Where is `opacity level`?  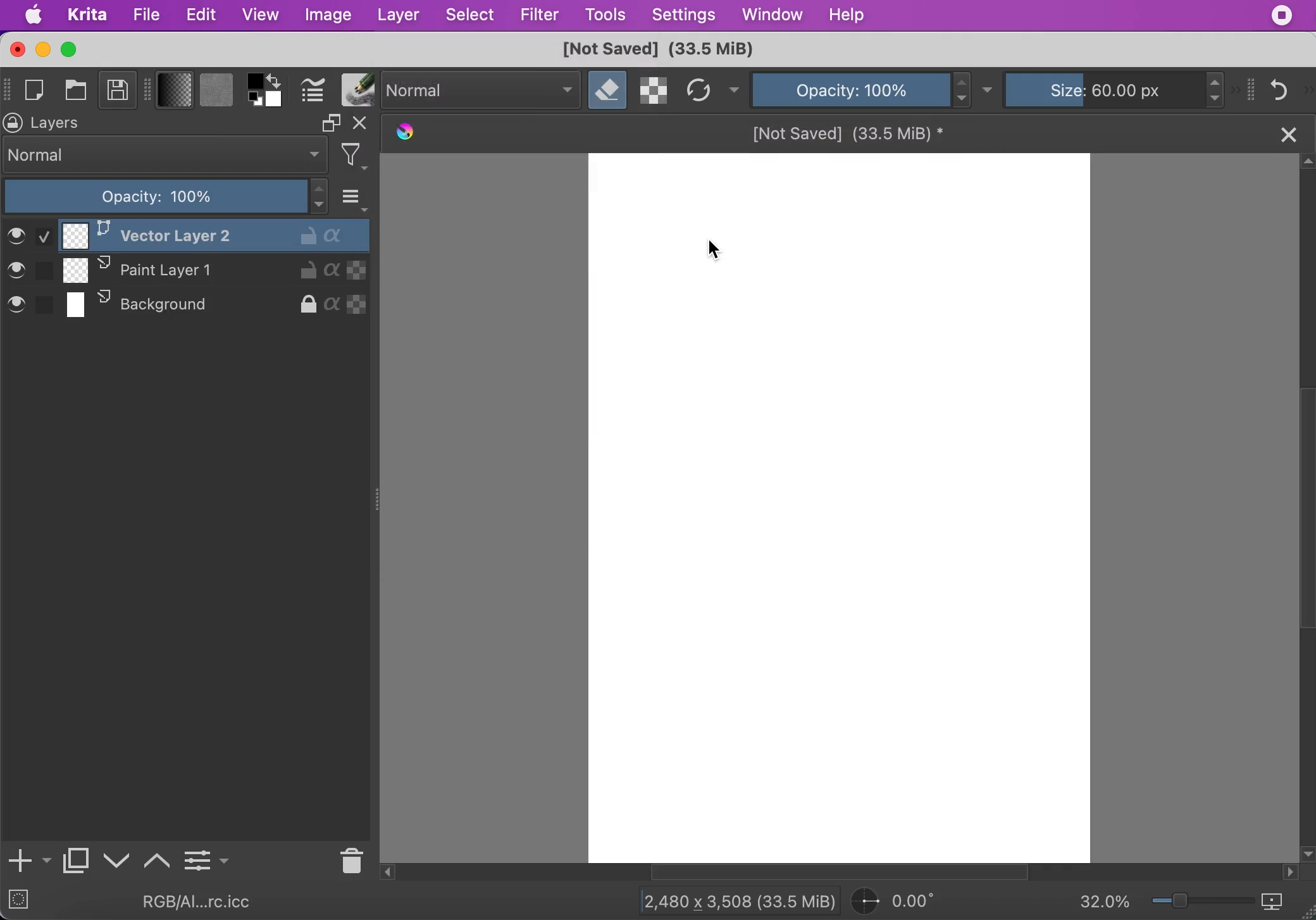
opacity level is located at coordinates (167, 197).